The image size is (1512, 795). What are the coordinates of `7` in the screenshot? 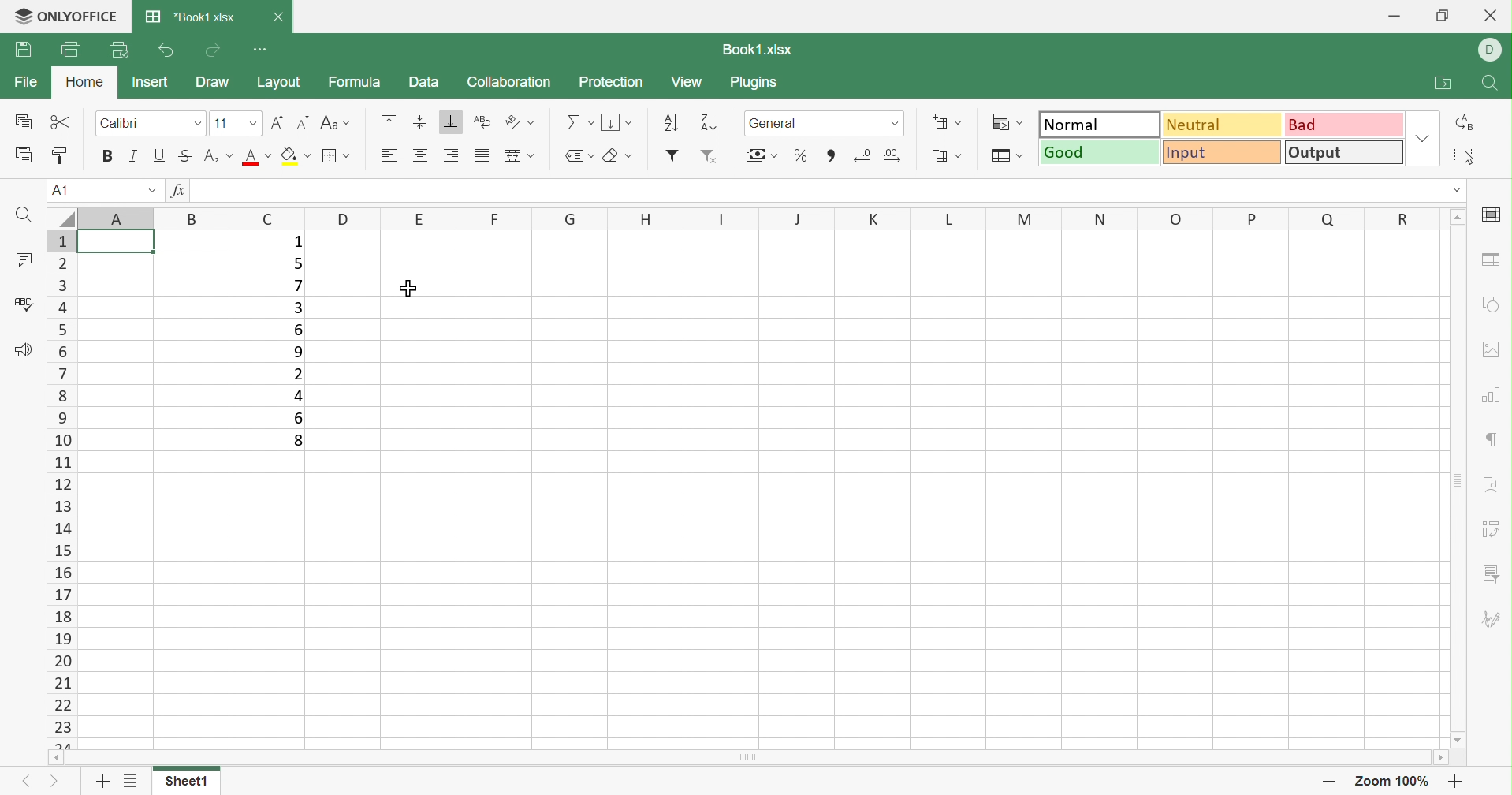 It's located at (294, 286).